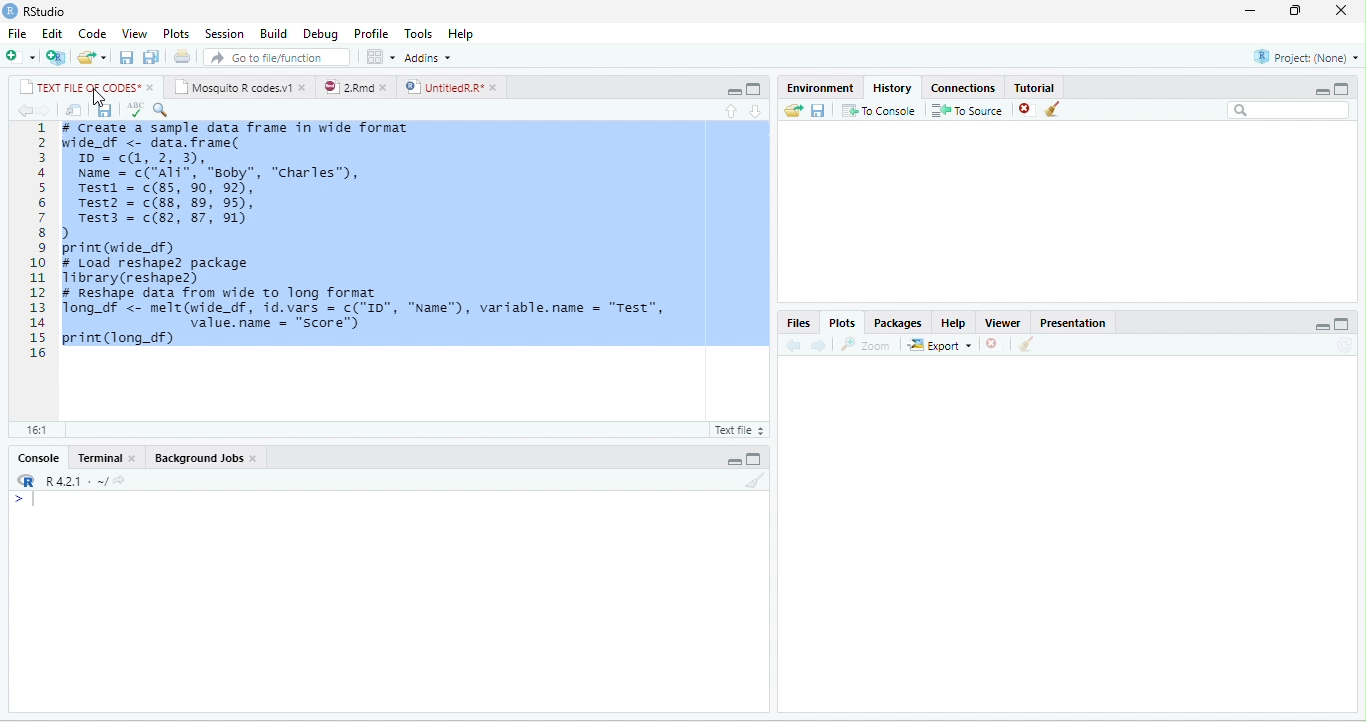 The image size is (1366, 722). What do you see at coordinates (20, 58) in the screenshot?
I see `new file` at bounding box center [20, 58].